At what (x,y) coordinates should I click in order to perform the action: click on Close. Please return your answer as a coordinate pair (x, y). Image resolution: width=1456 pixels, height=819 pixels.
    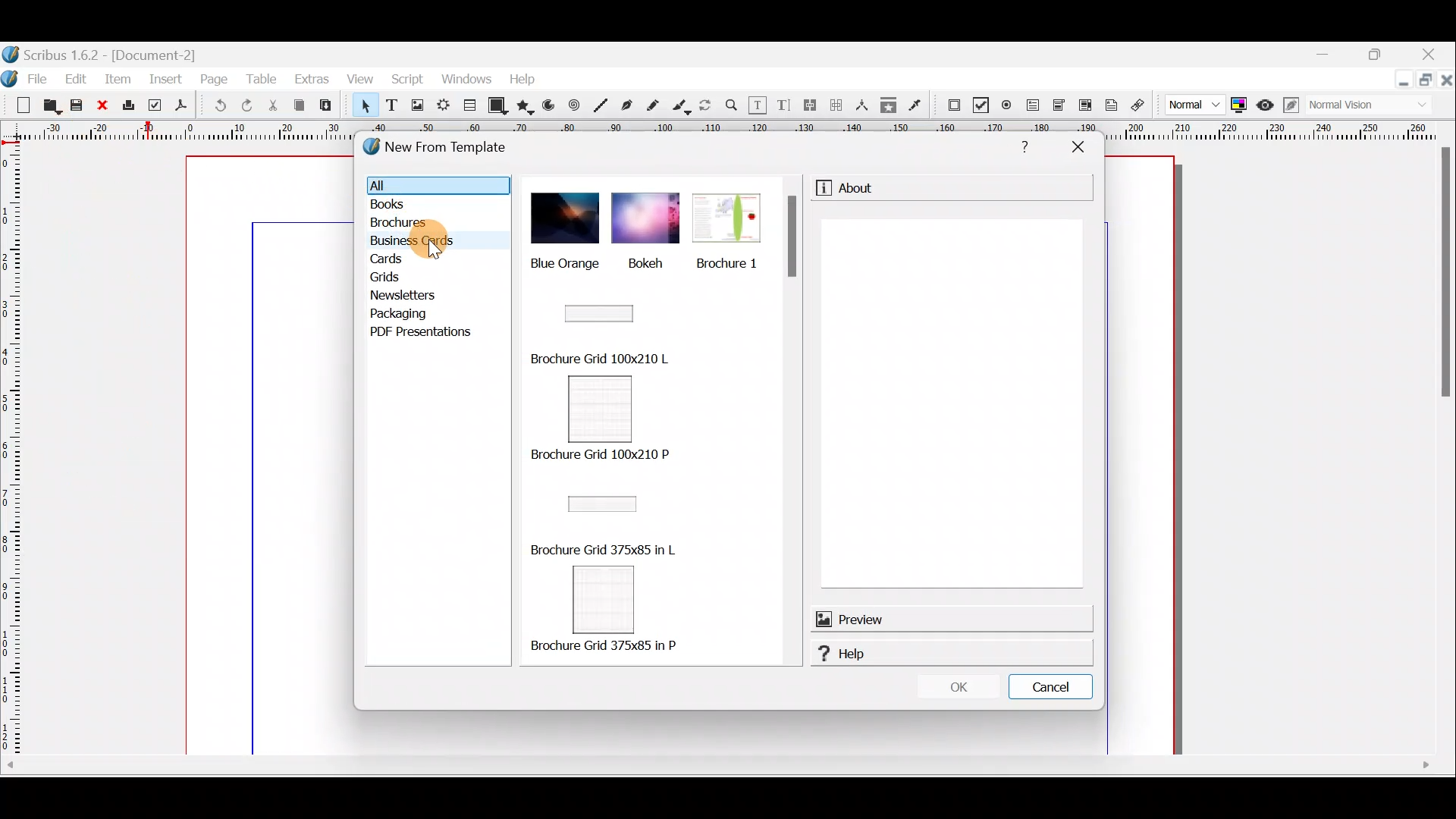
    Looking at the image, I should click on (103, 106).